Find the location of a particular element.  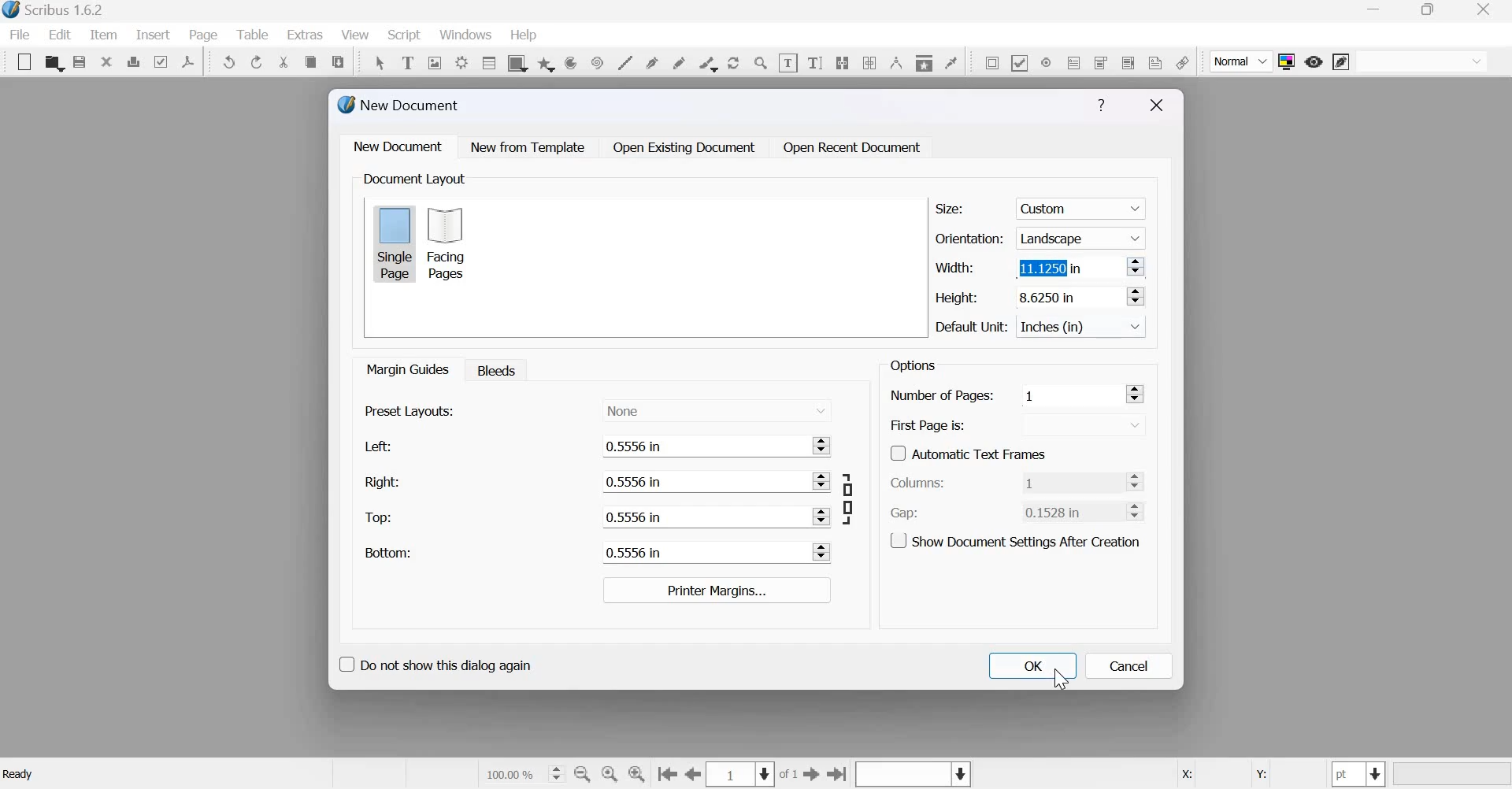

Automatic Text Frames is located at coordinates (969, 452).